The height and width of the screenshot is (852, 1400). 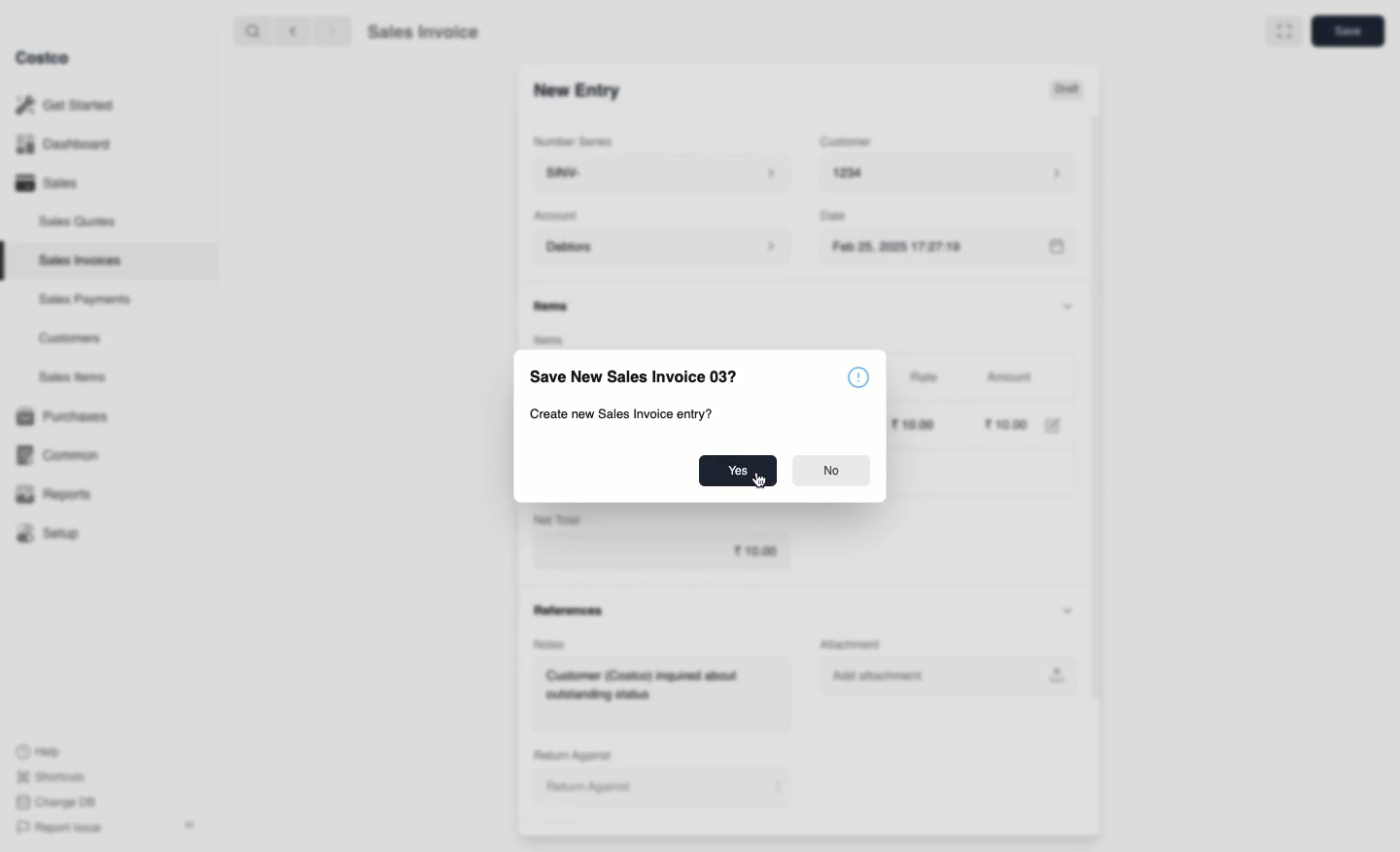 I want to click on Feb 25, 2025 17:27:19, so click(x=951, y=250).